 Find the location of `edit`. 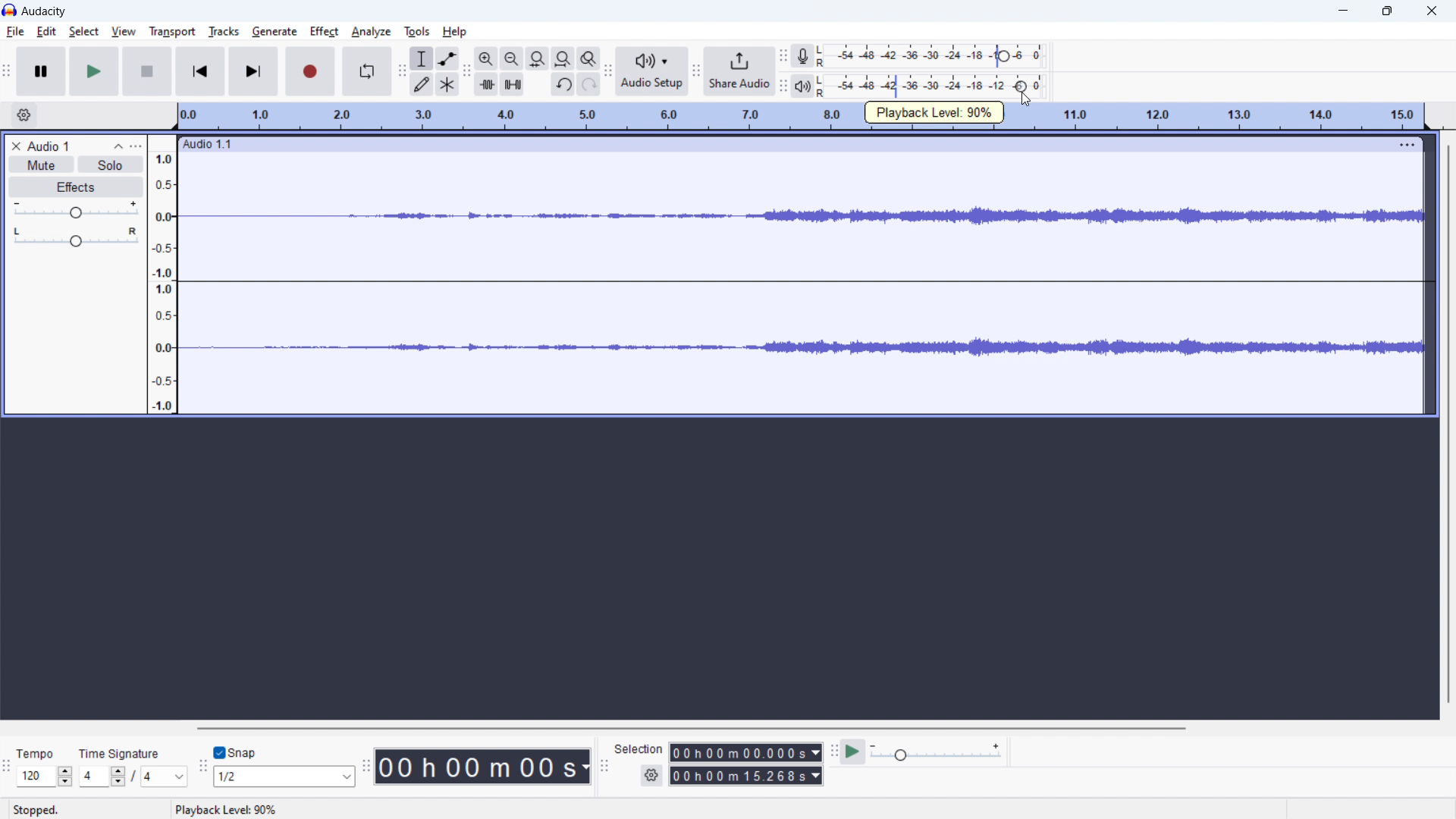

edit is located at coordinates (48, 31).